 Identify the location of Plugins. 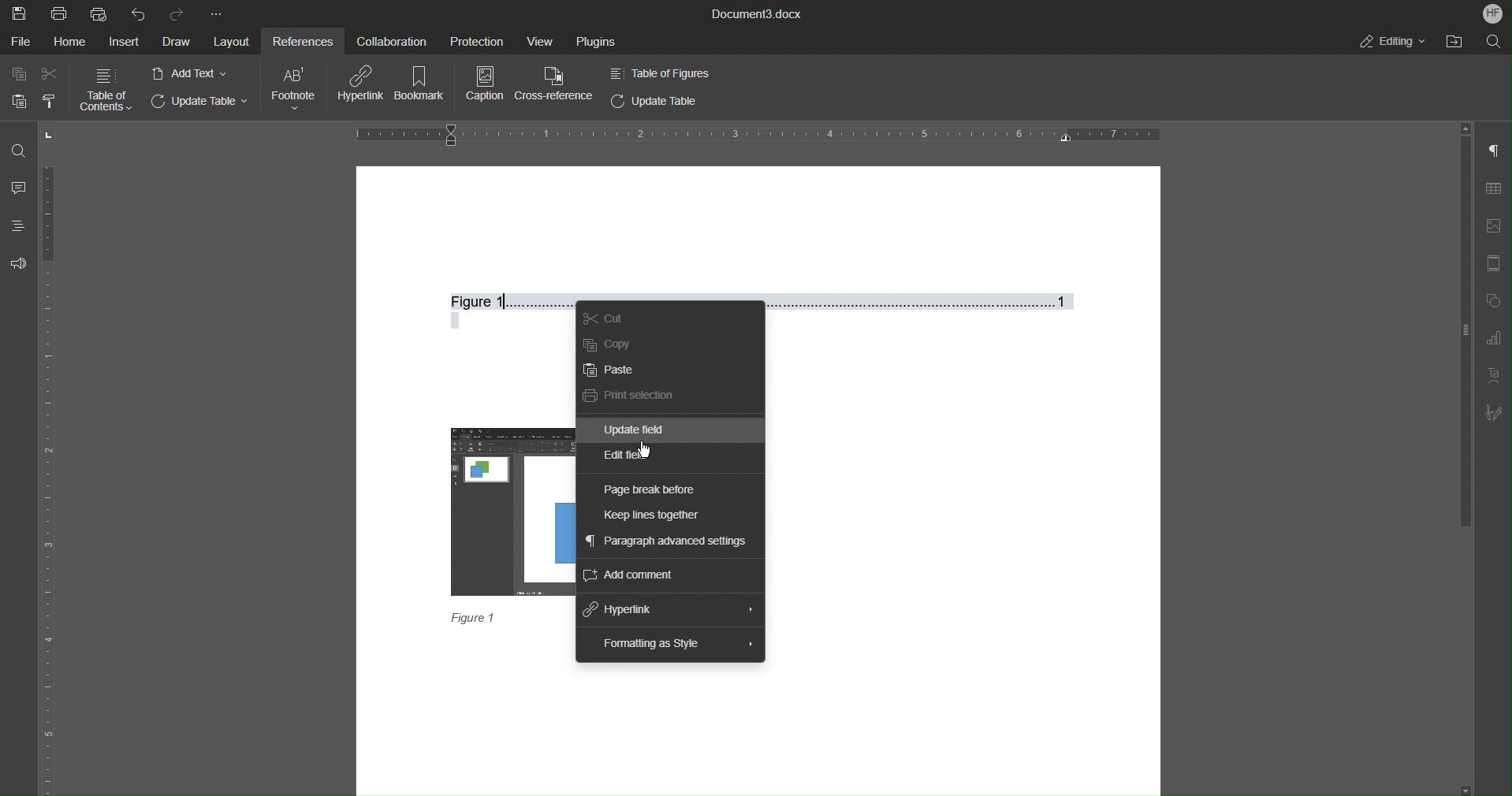
(594, 41).